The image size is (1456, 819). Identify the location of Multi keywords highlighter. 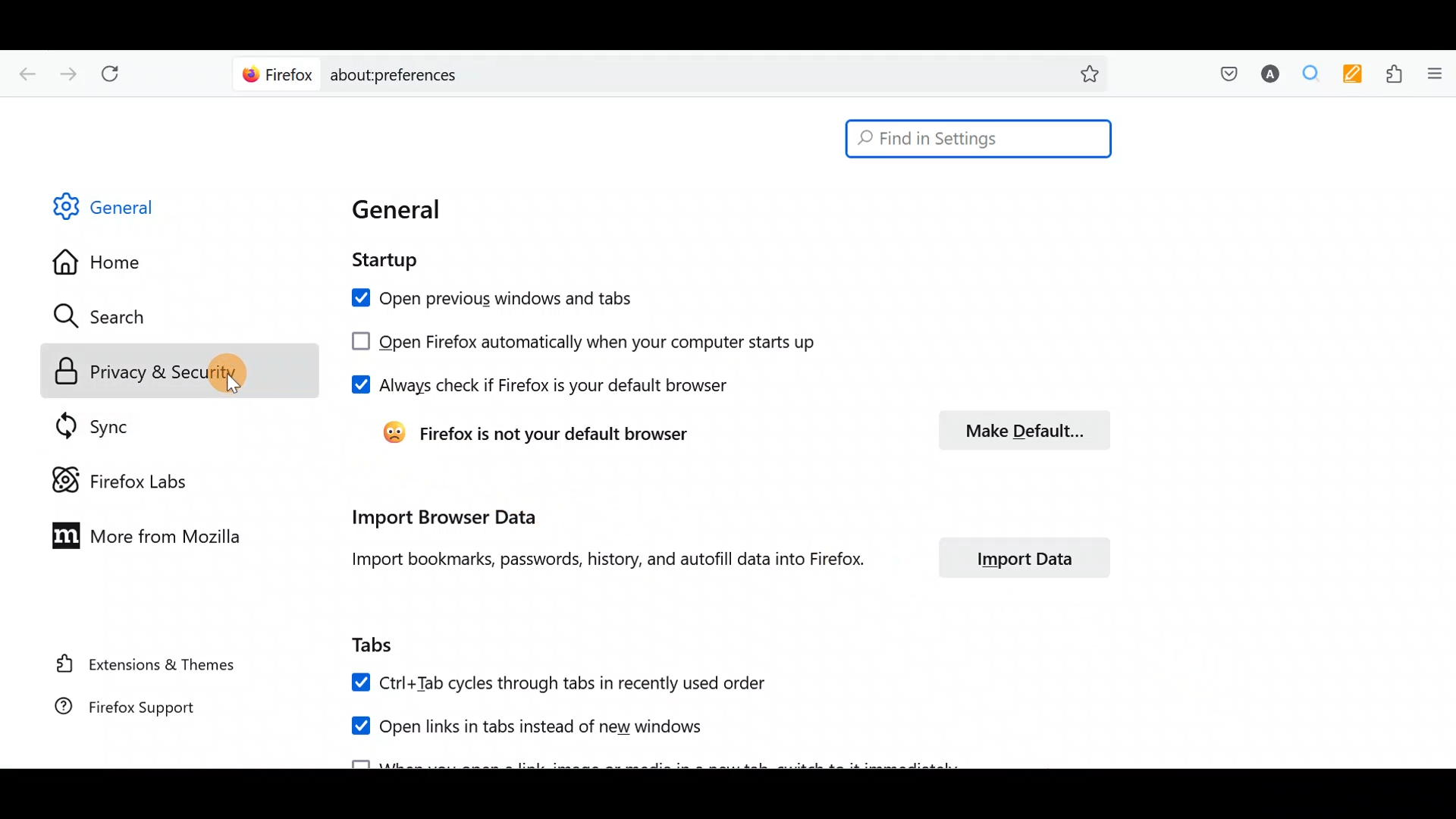
(1348, 76).